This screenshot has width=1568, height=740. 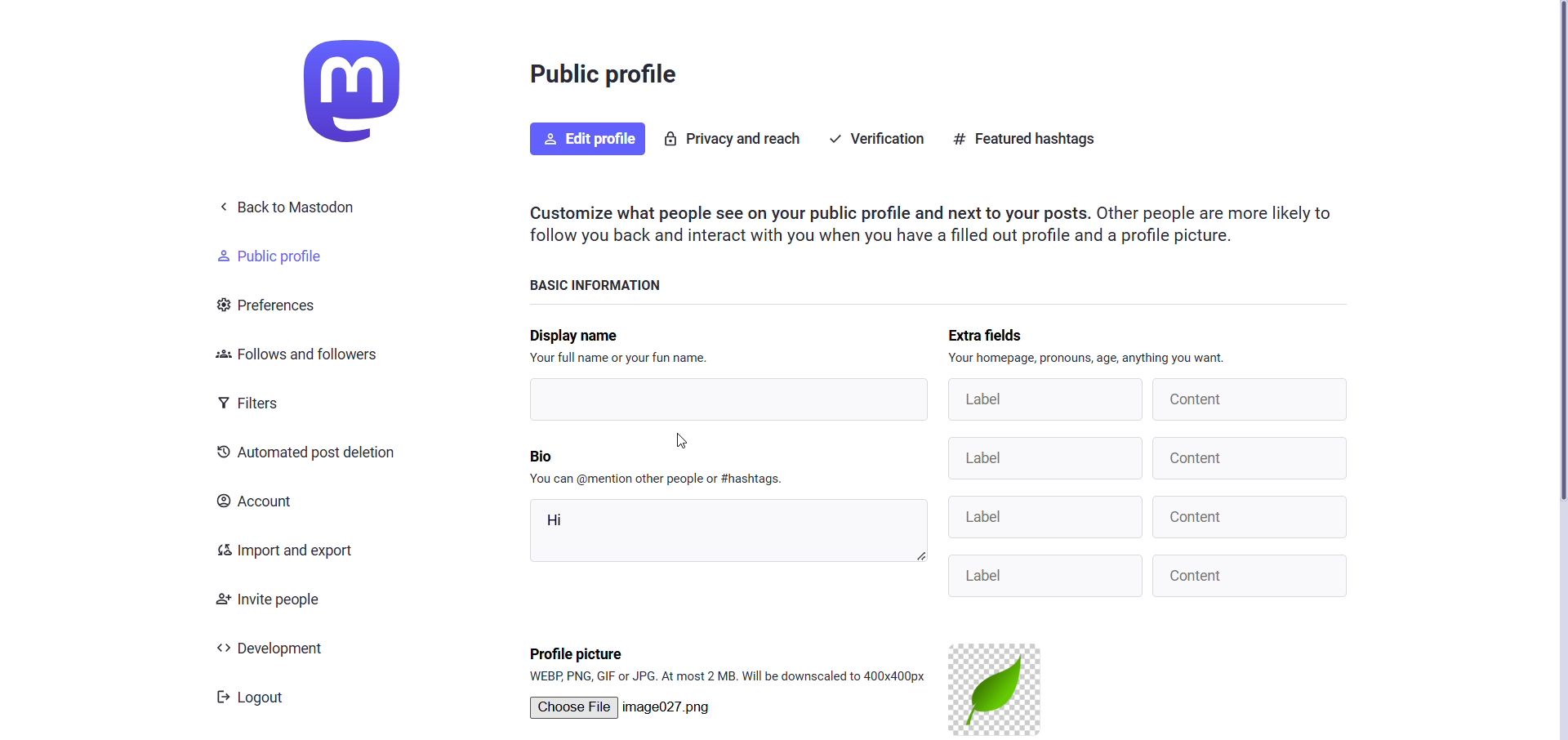 What do you see at coordinates (260, 257) in the screenshot?
I see `public` at bounding box center [260, 257].